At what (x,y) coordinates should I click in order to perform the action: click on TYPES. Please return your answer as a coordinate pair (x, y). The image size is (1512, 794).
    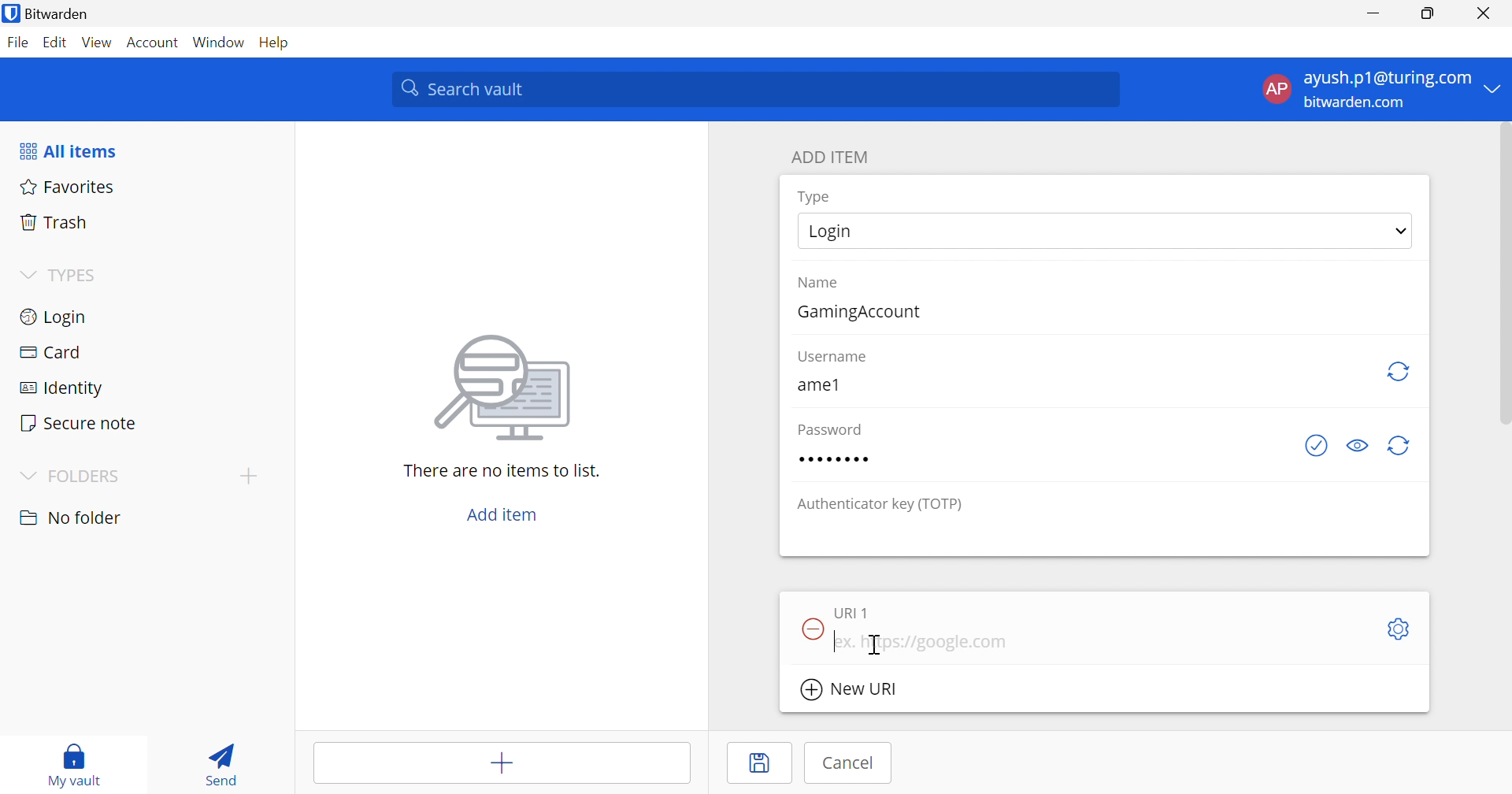
    Looking at the image, I should click on (77, 274).